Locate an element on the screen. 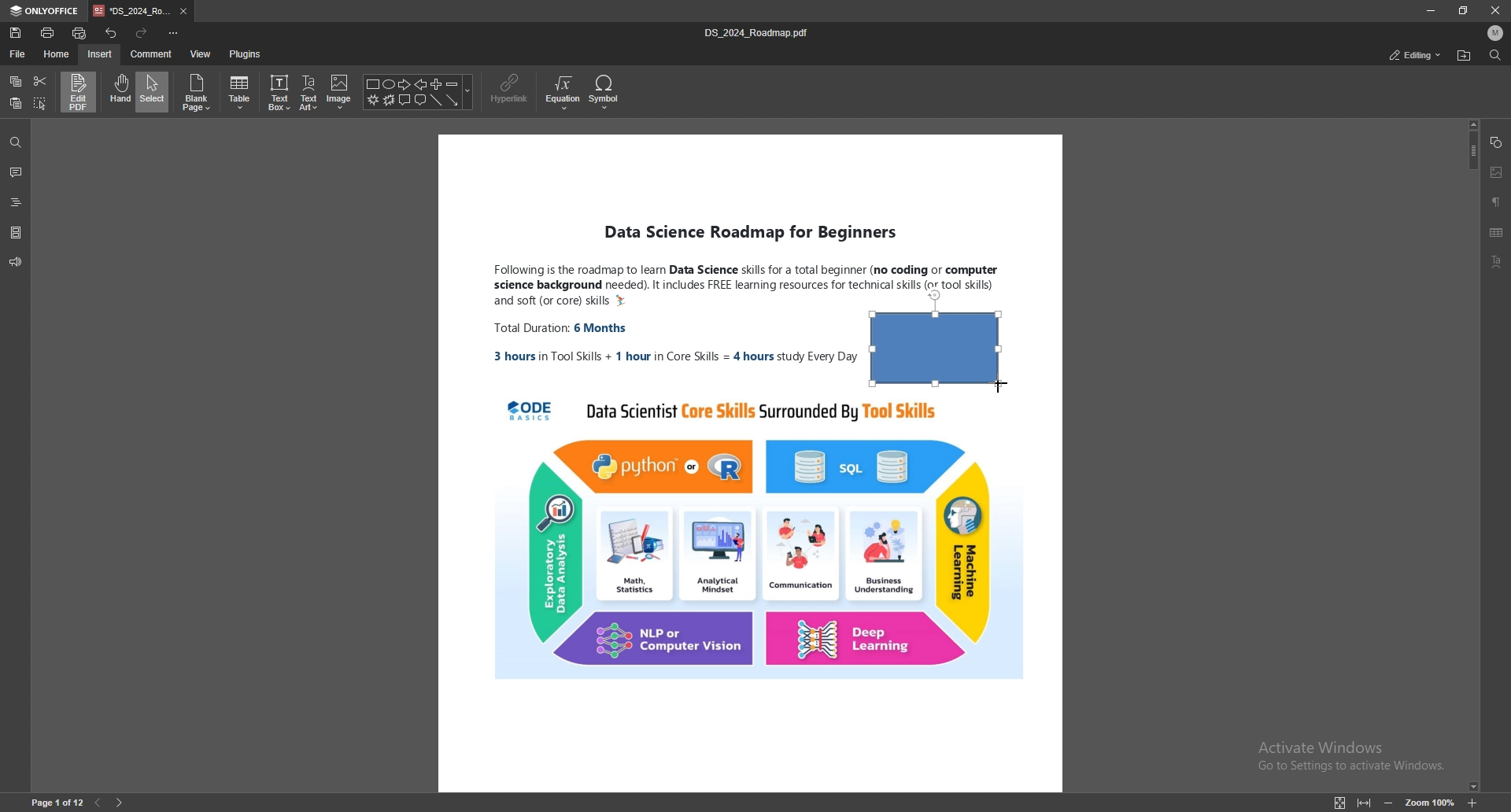  open file location is located at coordinates (1463, 56).